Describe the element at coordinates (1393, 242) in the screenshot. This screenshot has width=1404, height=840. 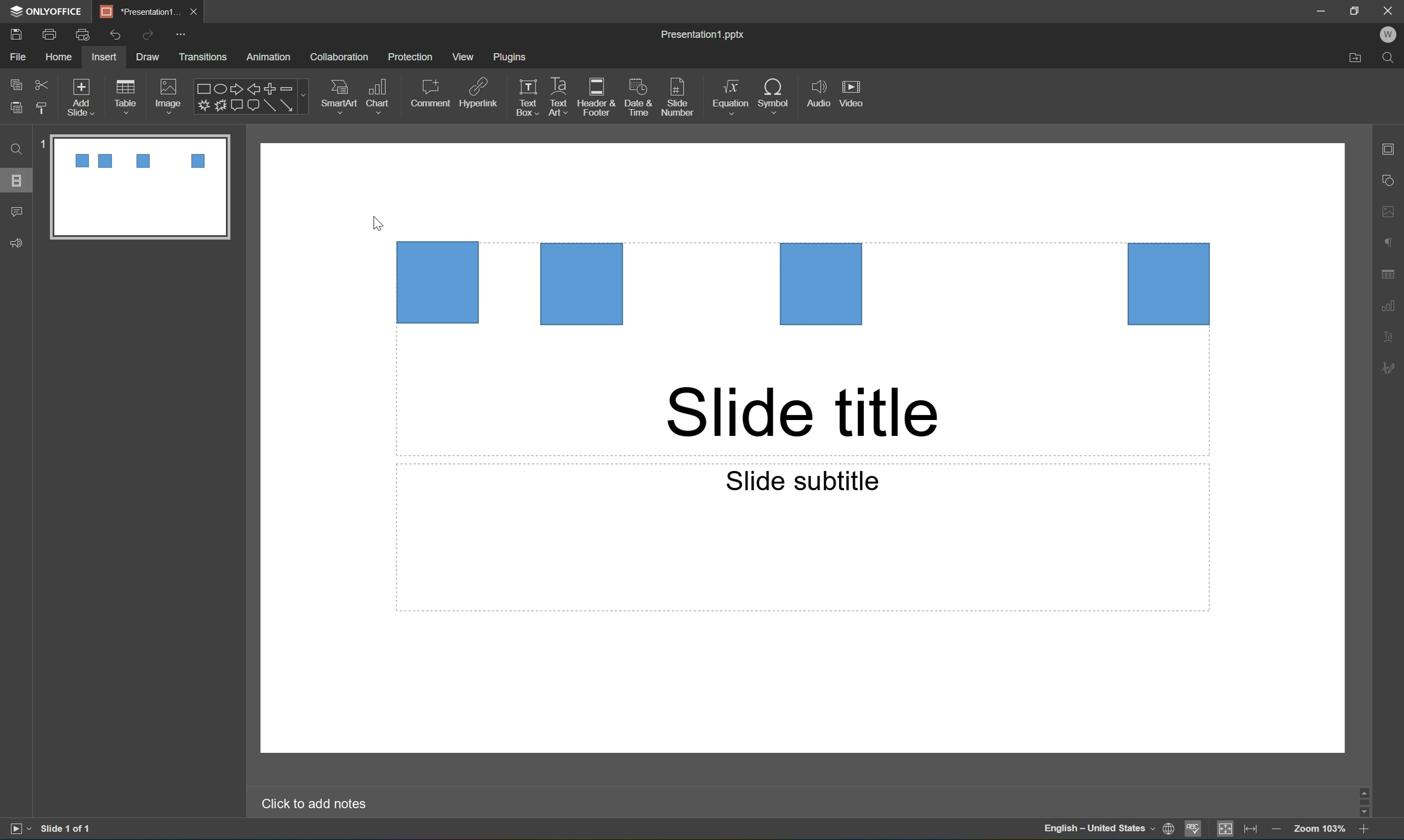
I see `paragraph settings` at that location.